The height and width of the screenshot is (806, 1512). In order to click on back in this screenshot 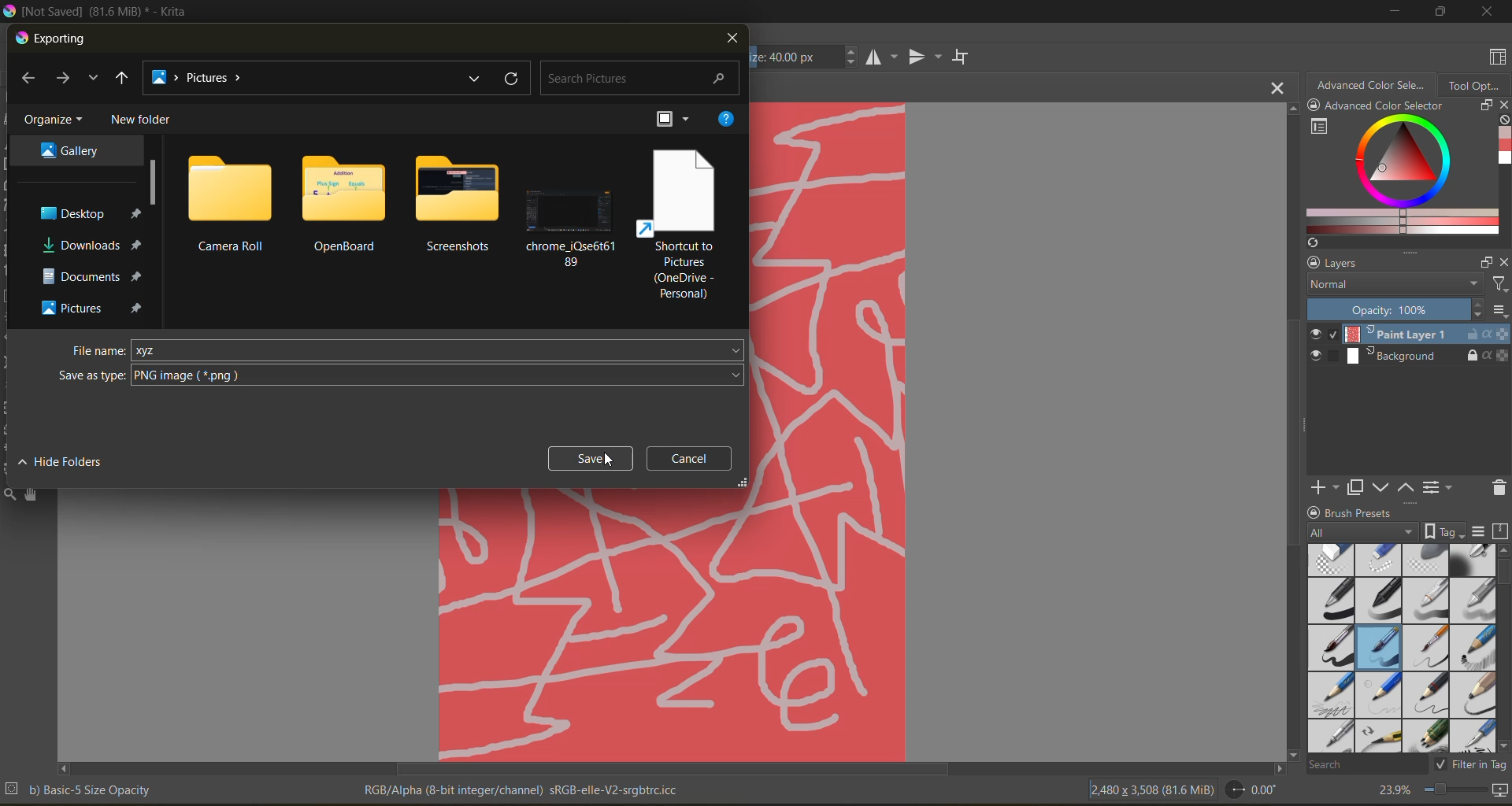, I will do `click(33, 80)`.